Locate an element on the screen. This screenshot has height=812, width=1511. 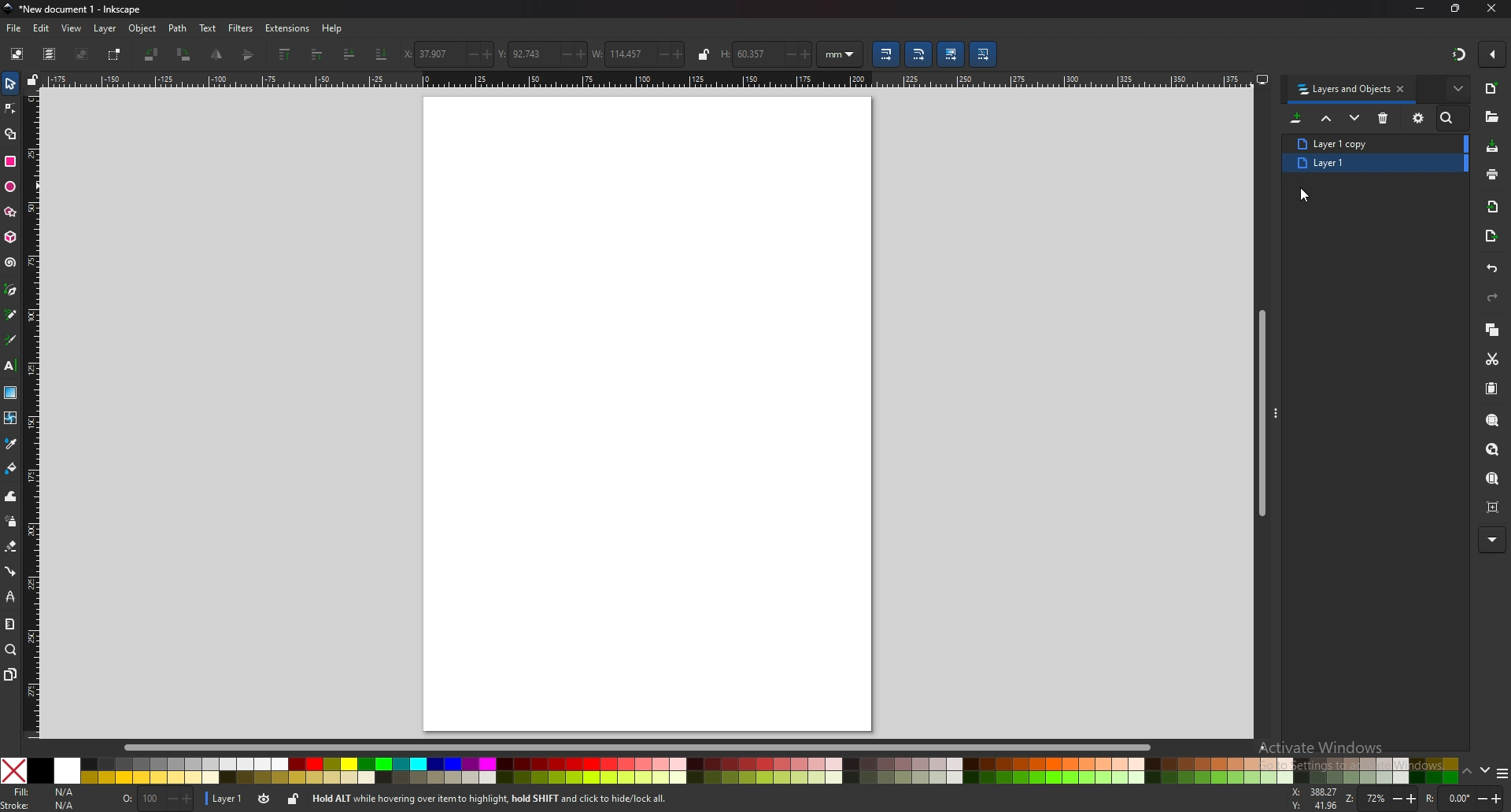
zoom is located at coordinates (1381, 798).